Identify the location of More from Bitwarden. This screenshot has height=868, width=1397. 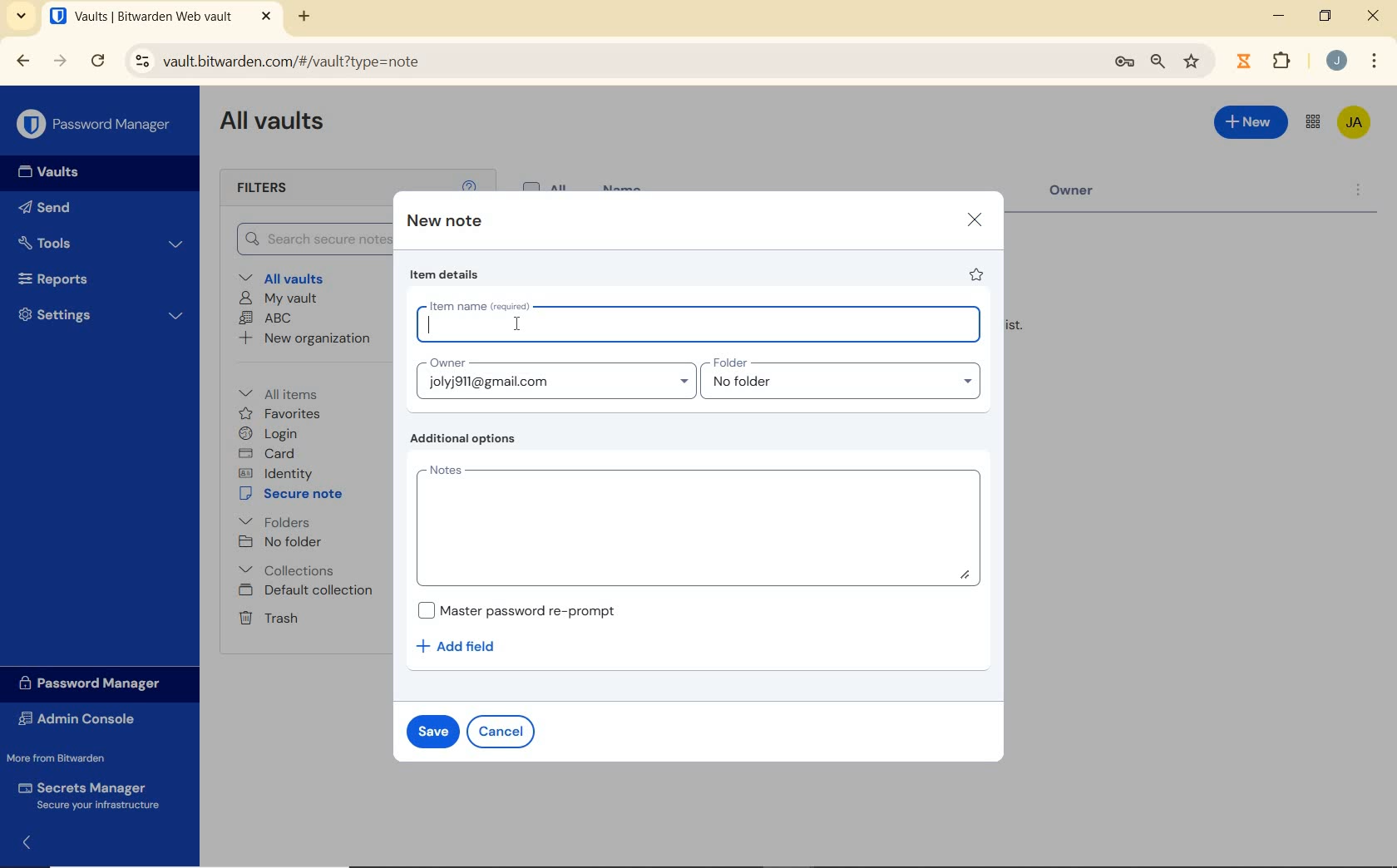
(67, 757).